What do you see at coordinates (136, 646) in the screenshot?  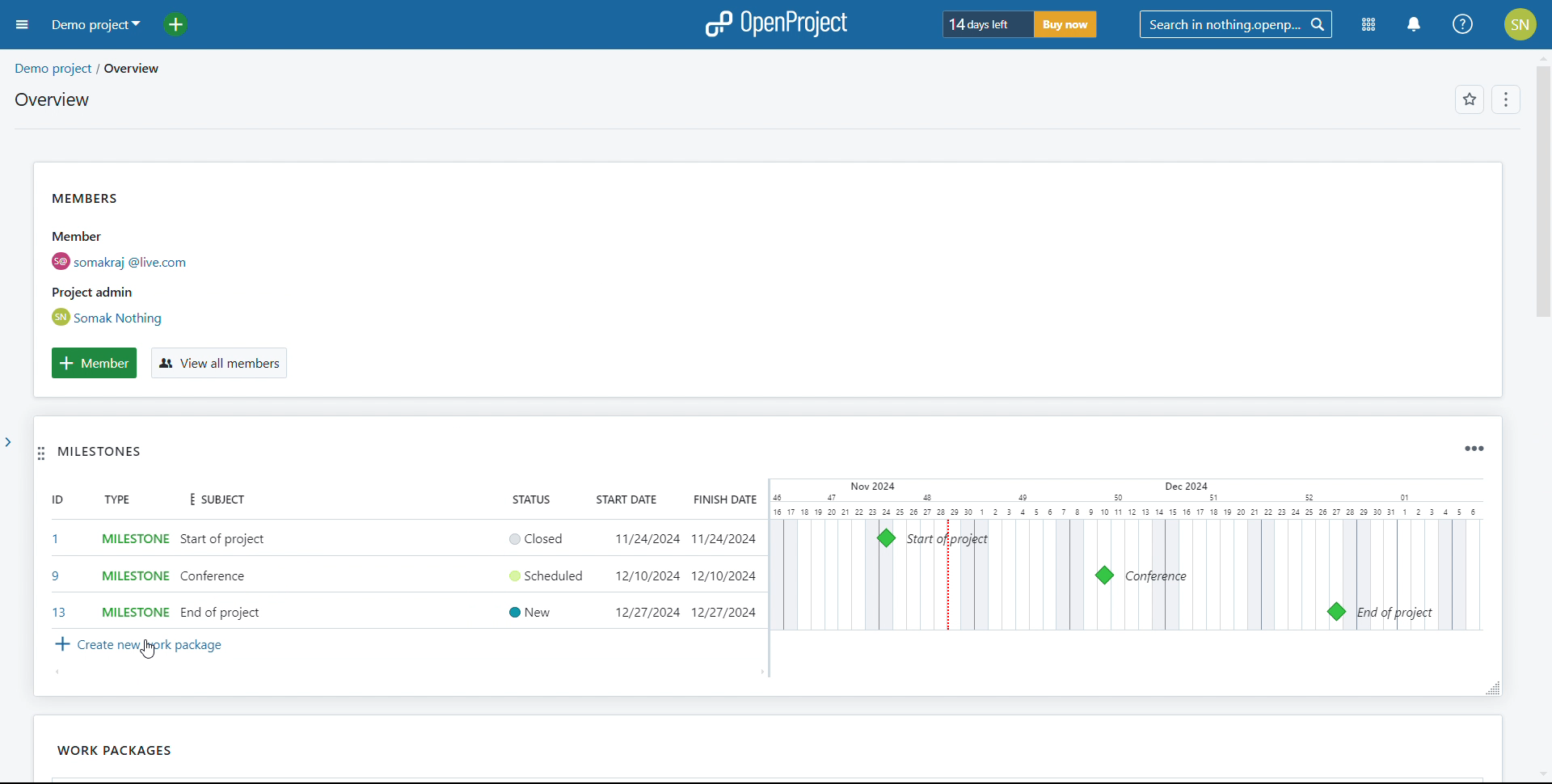 I see `create new work package` at bounding box center [136, 646].